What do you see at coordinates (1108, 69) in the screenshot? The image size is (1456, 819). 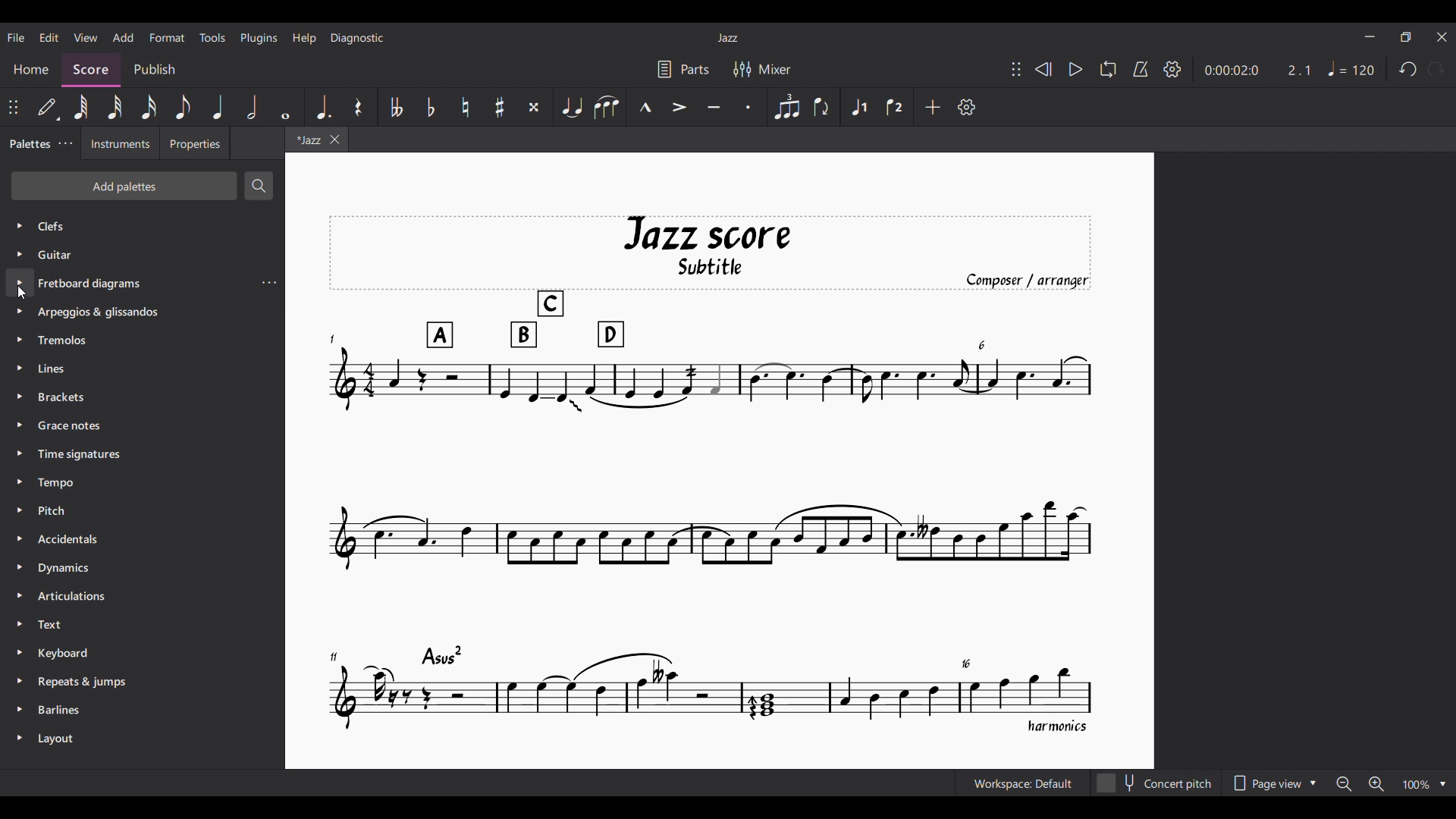 I see `Loop playback` at bounding box center [1108, 69].